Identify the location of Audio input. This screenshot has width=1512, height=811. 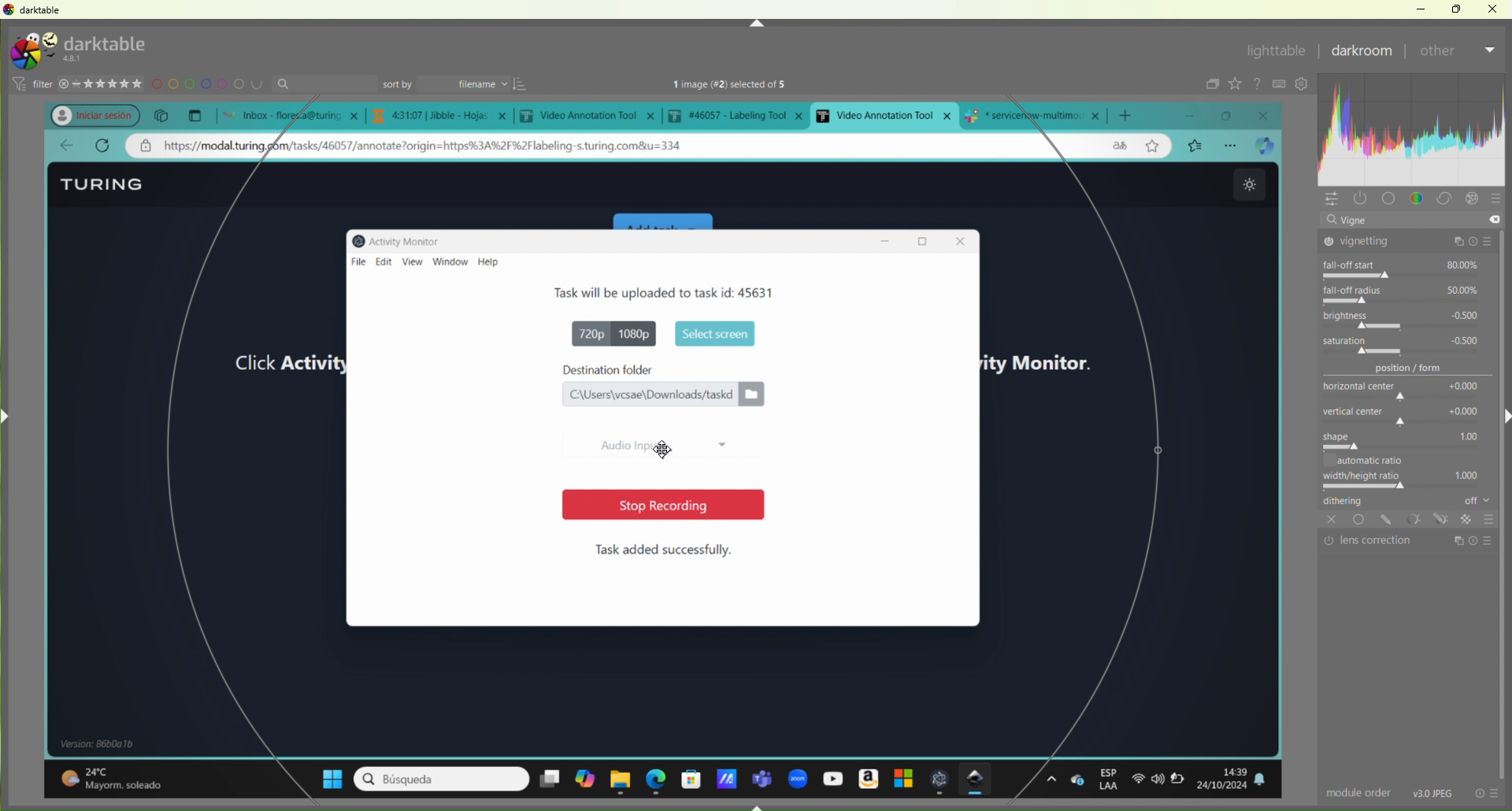
(654, 446).